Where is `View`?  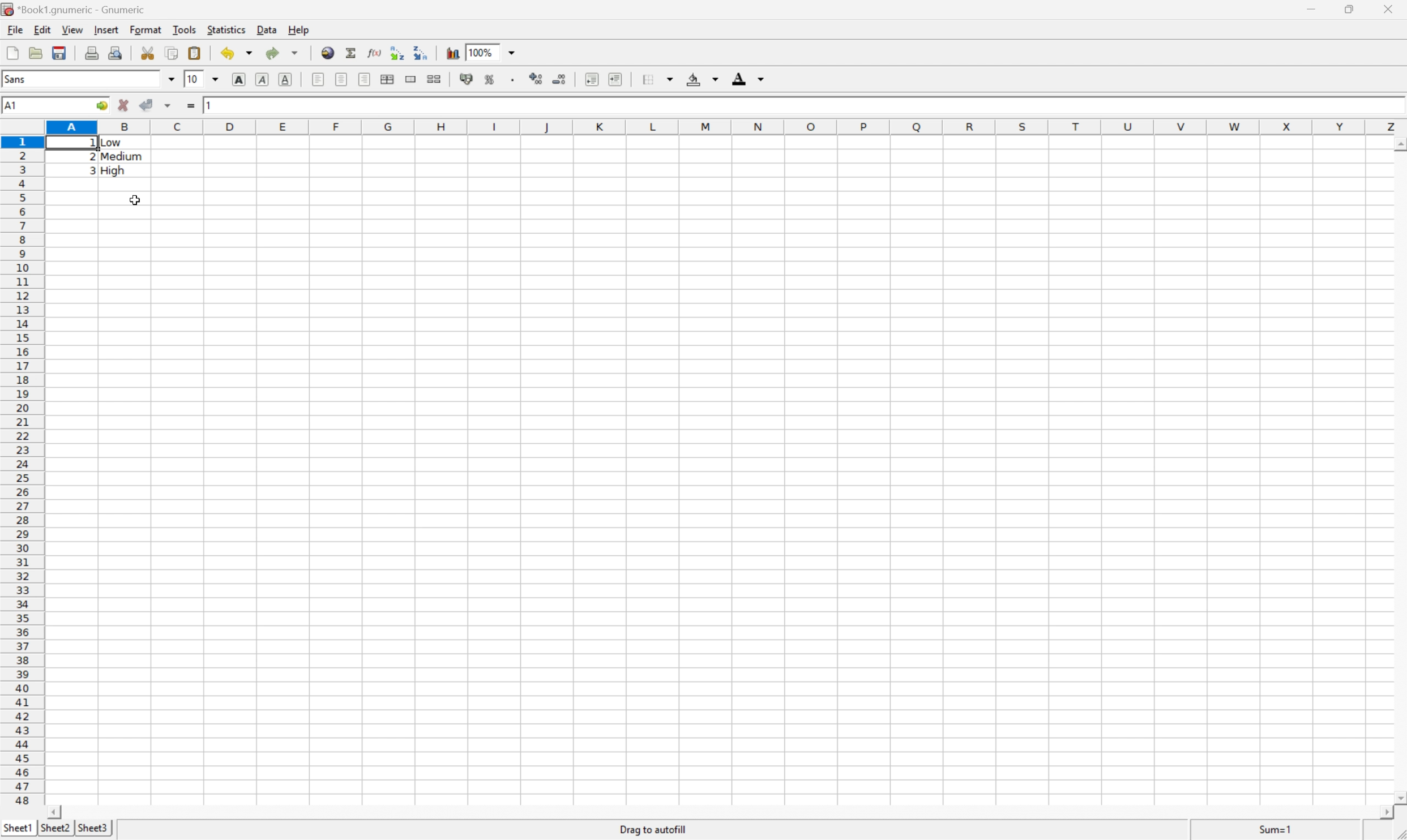
View is located at coordinates (70, 28).